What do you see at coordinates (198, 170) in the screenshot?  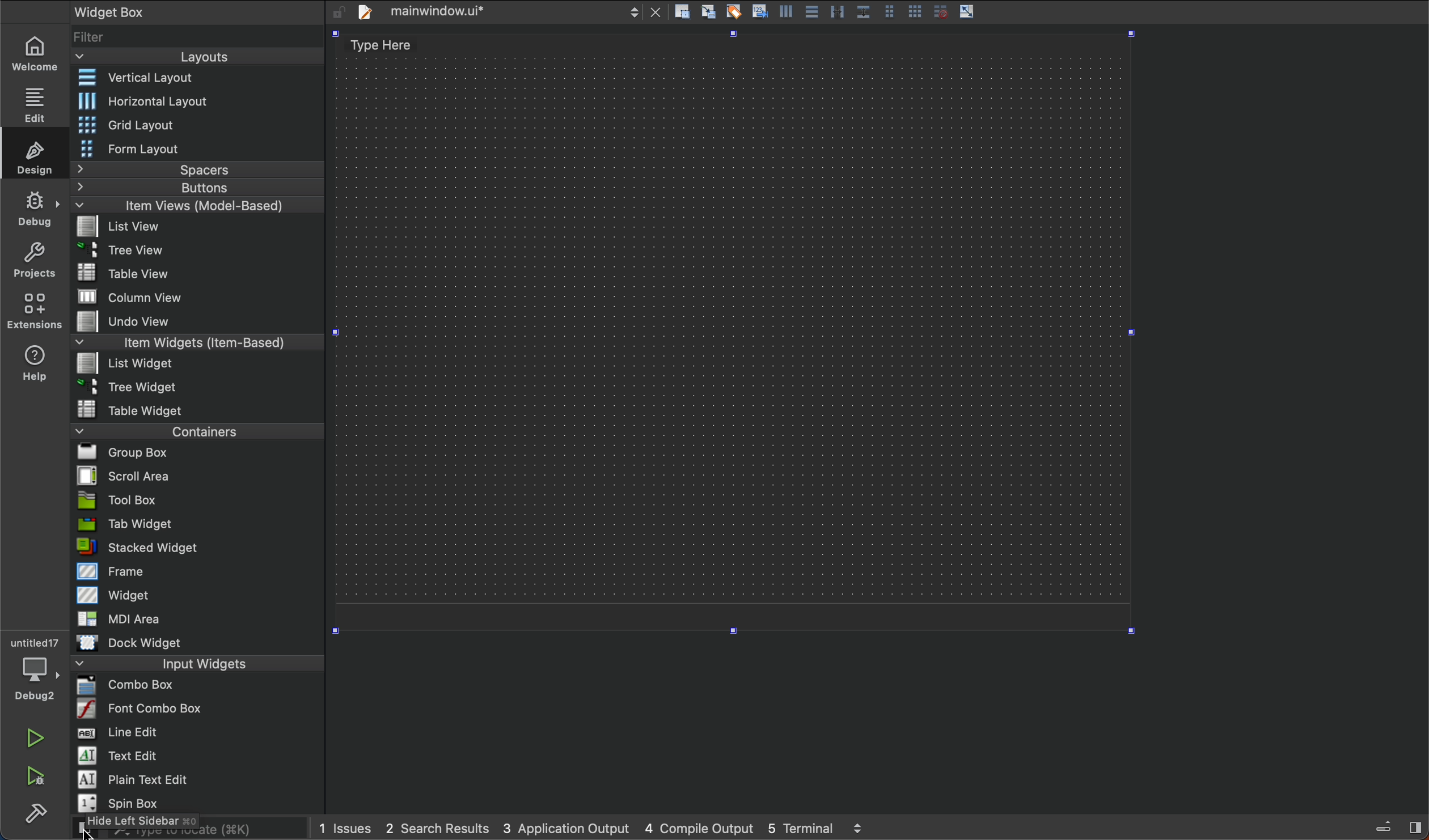 I see `spacers` at bounding box center [198, 170].